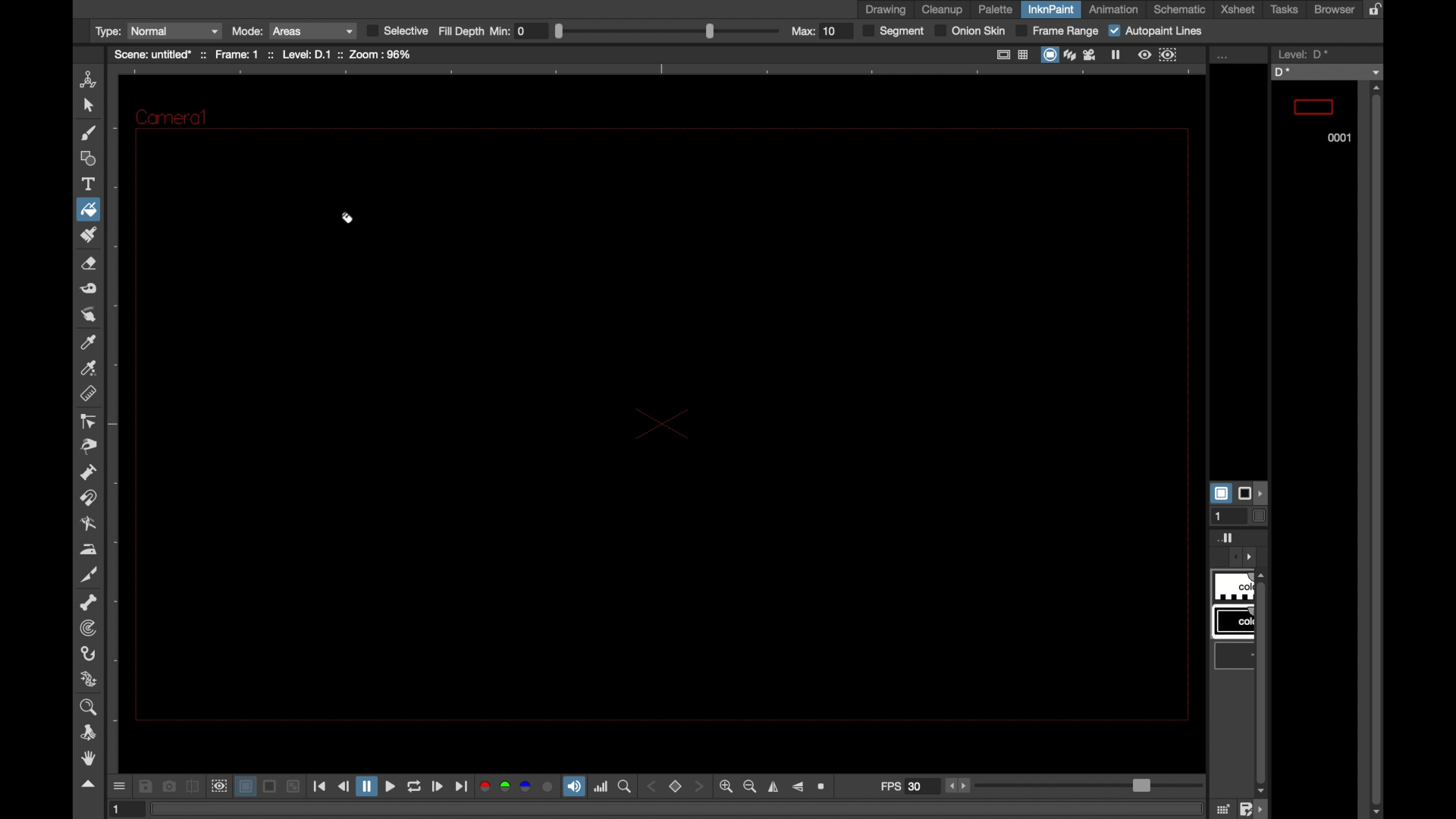  What do you see at coordinates (88, 264) in the screenshot?
I see `eraser tool` at bounding box center [88, 264].